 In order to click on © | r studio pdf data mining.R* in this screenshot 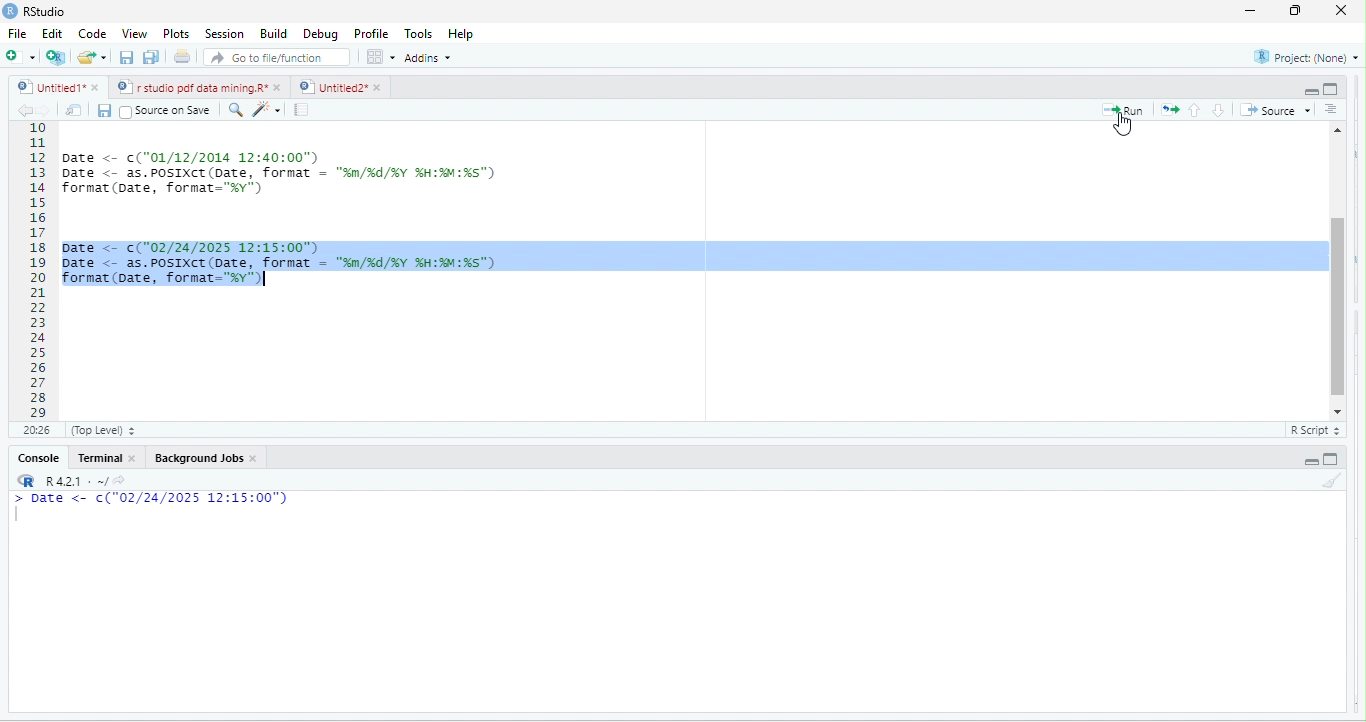, I will do `click(193, 88)`.